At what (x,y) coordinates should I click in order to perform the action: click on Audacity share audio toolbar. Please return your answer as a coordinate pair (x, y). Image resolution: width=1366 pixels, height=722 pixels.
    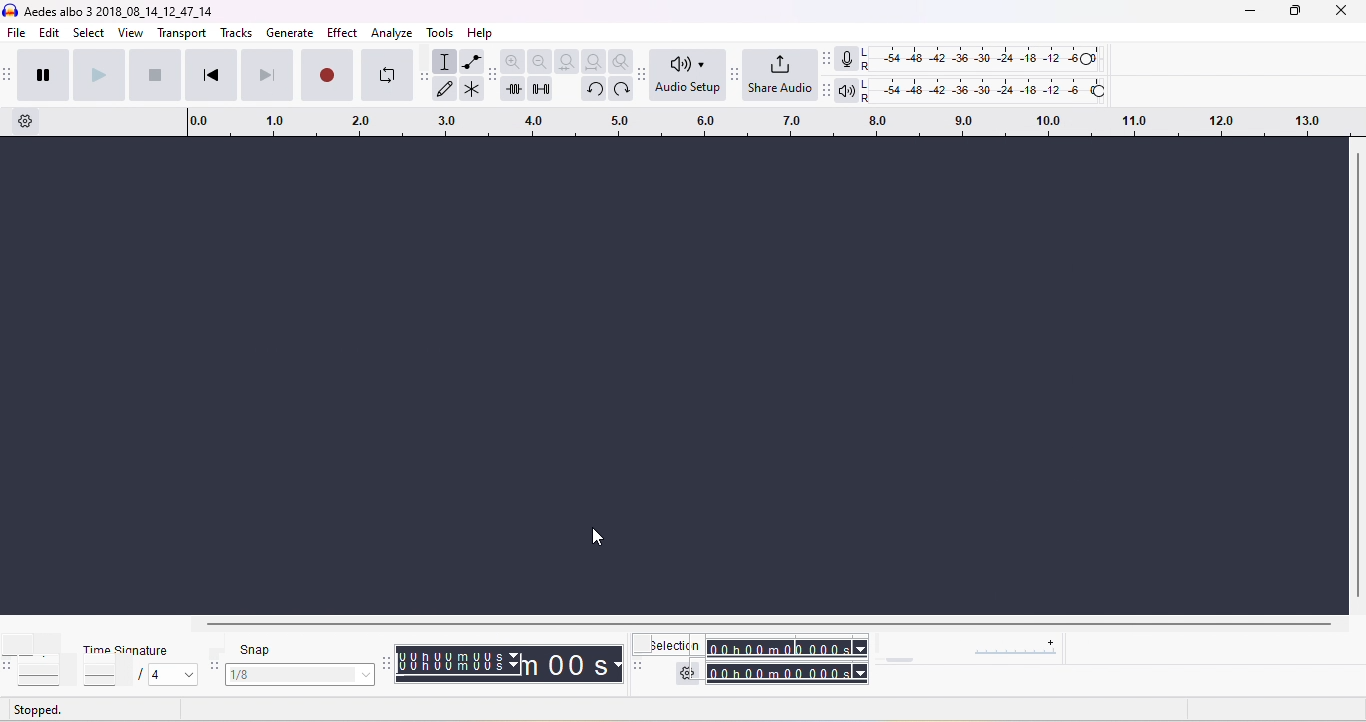
    Looking at the image, I should click on (736, 75).